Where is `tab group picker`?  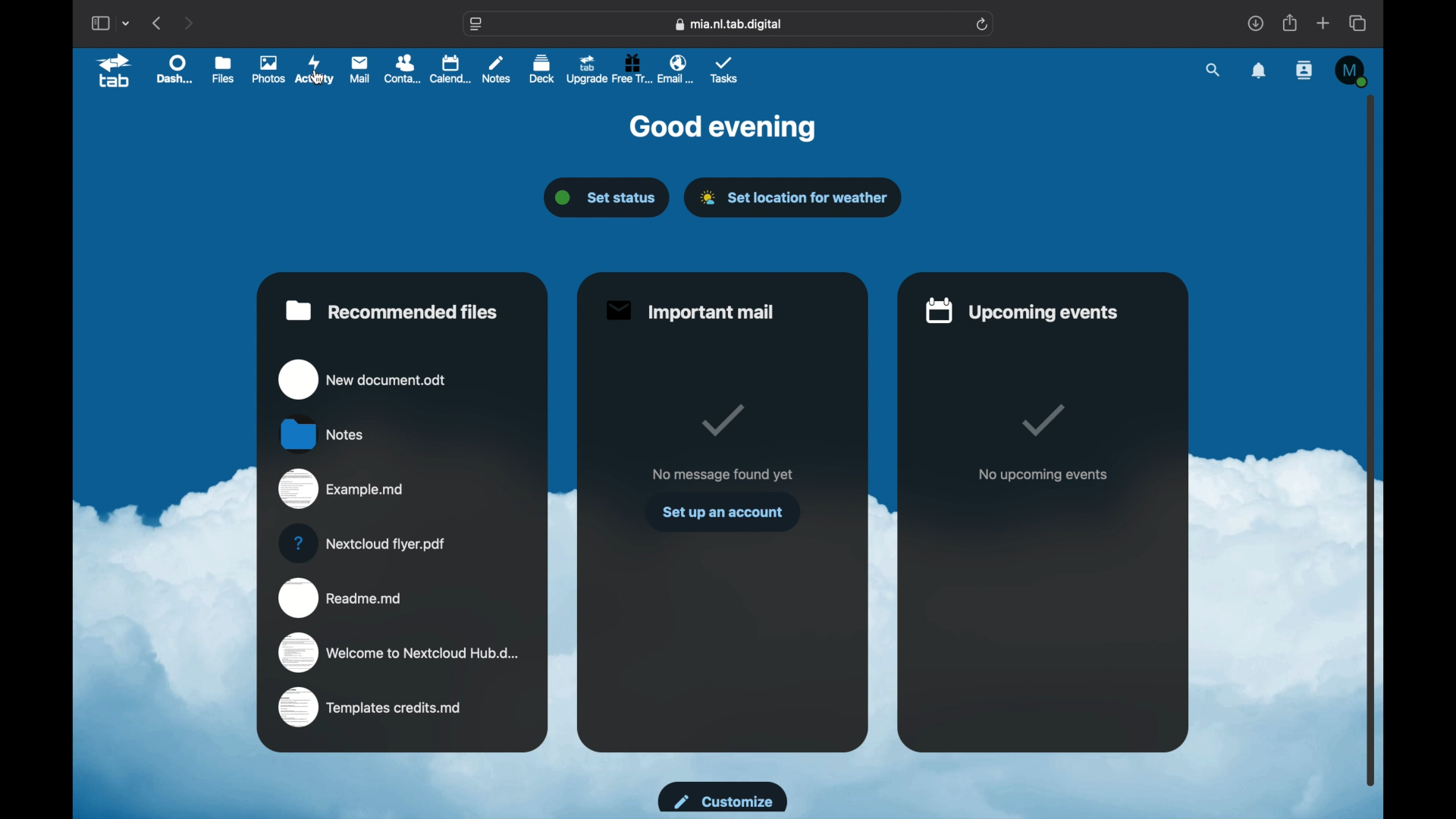 tab group picker is located at coordinates (127, 23).